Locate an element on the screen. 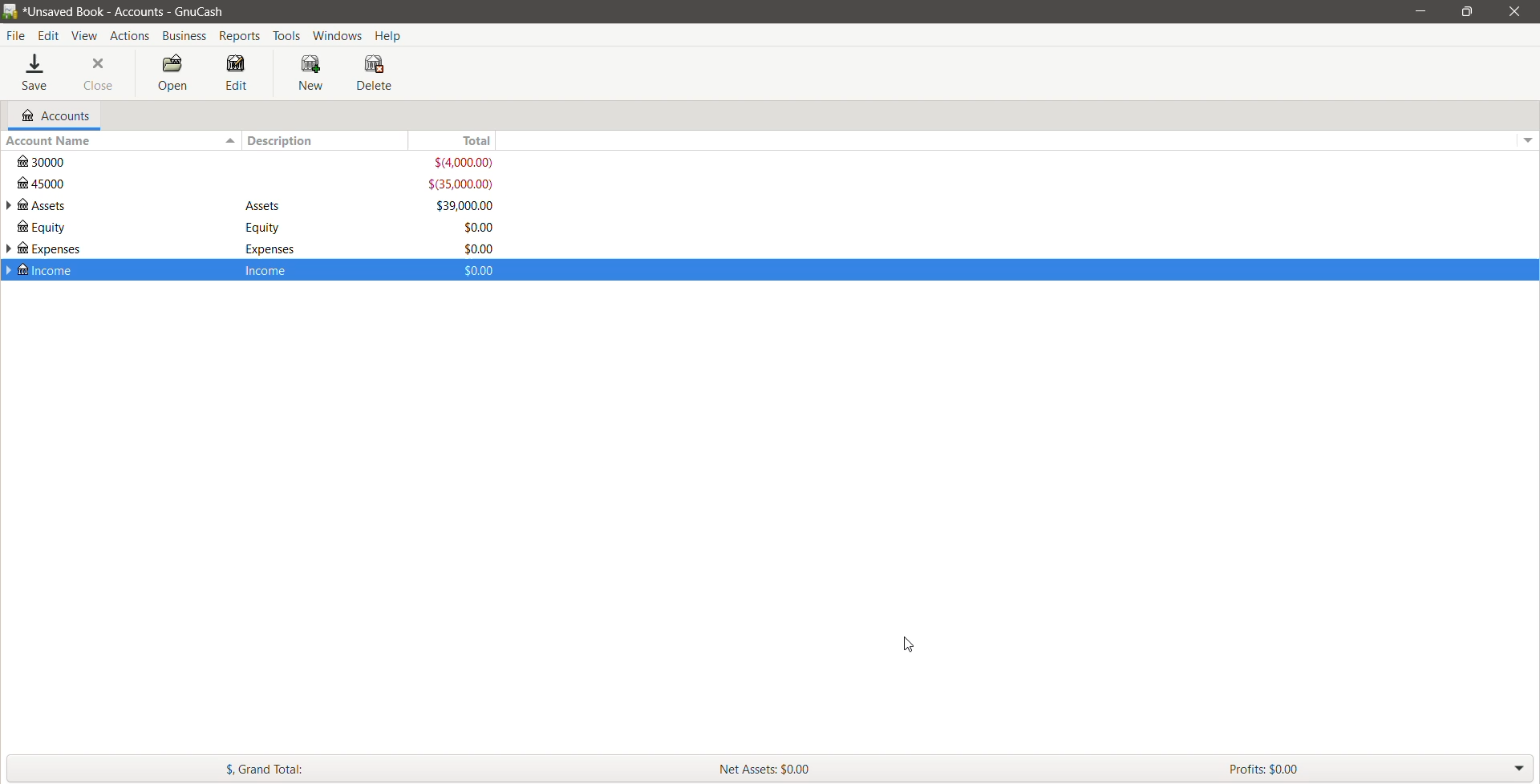 Image resolution: width=1540 pixels, height=784 pixels. Close is located at coordinates (1512, 11).